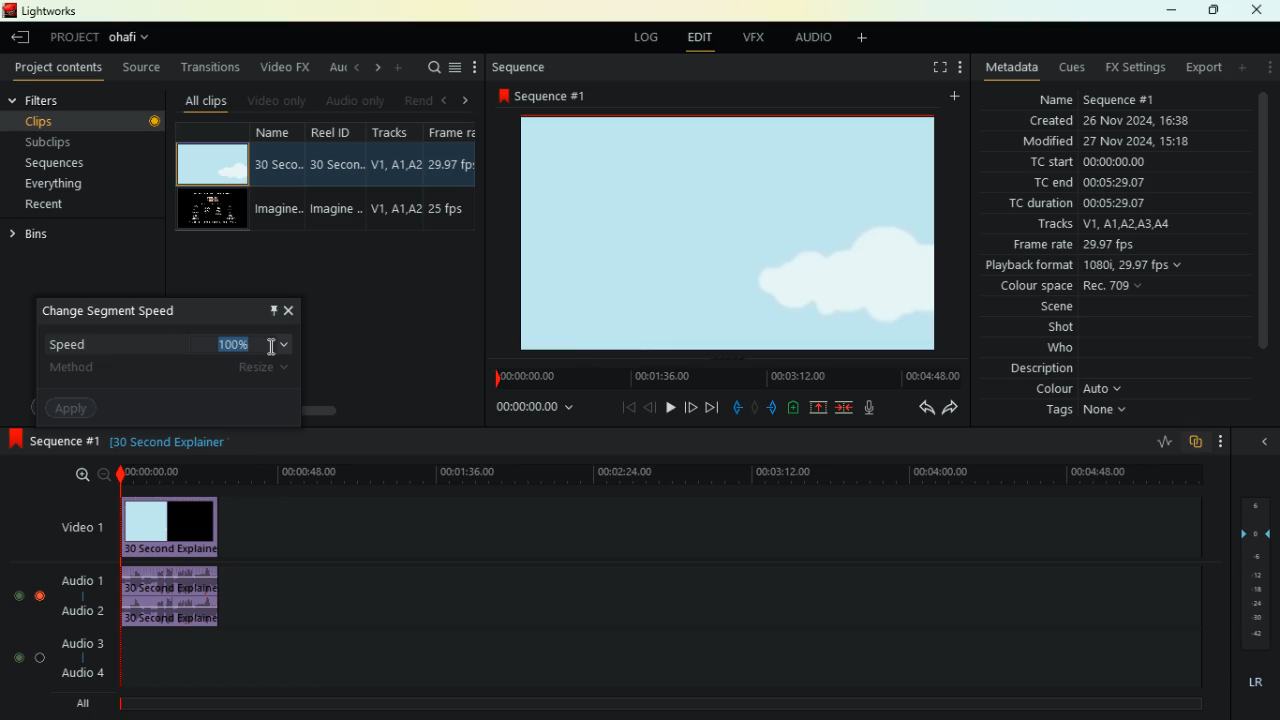 Image resolution: width=1280 pixels, height=720 pixels. I want to click on metadata, so click(1012, 66).